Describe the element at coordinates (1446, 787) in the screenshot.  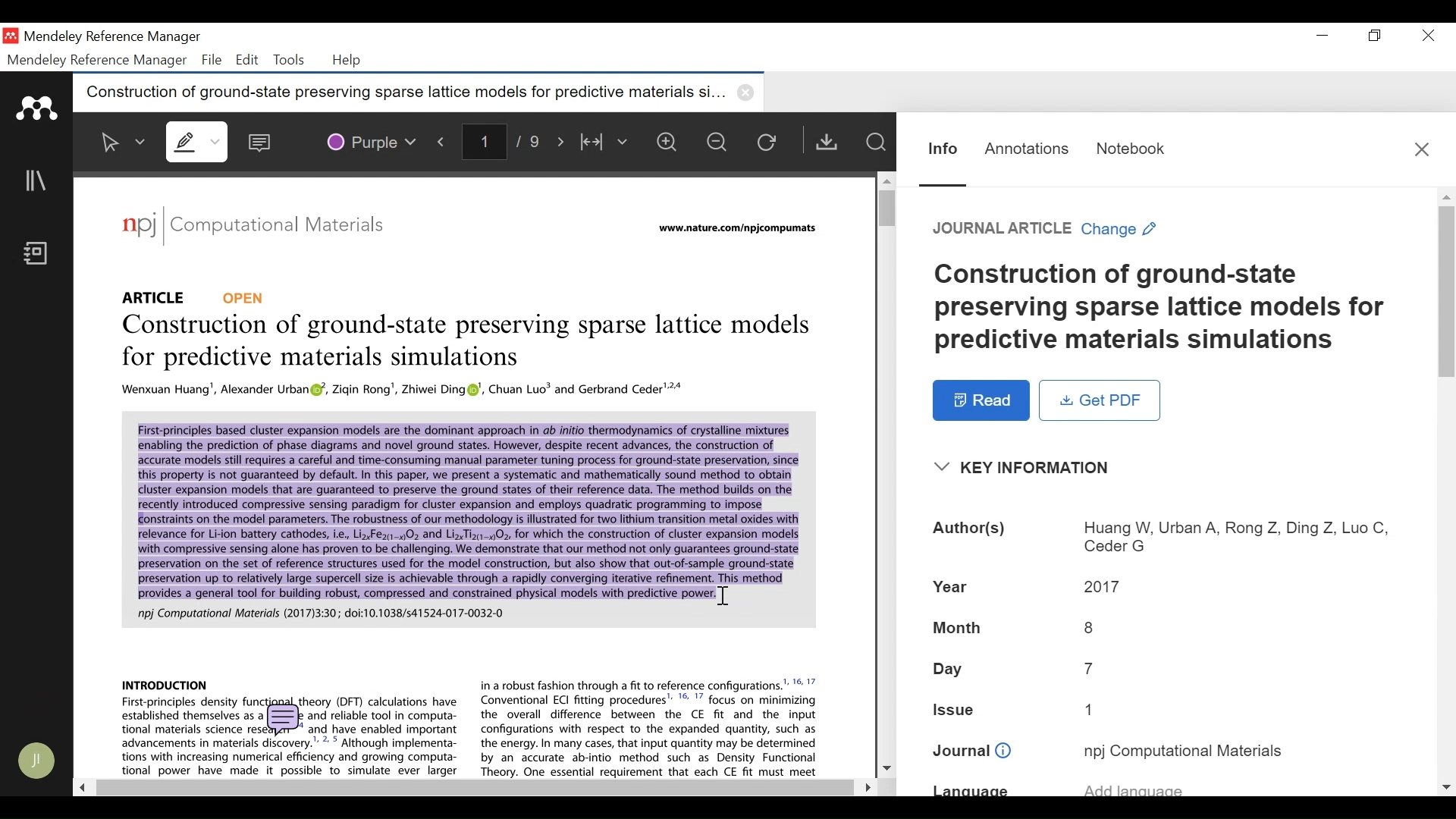
I see `scroll down` at that location.